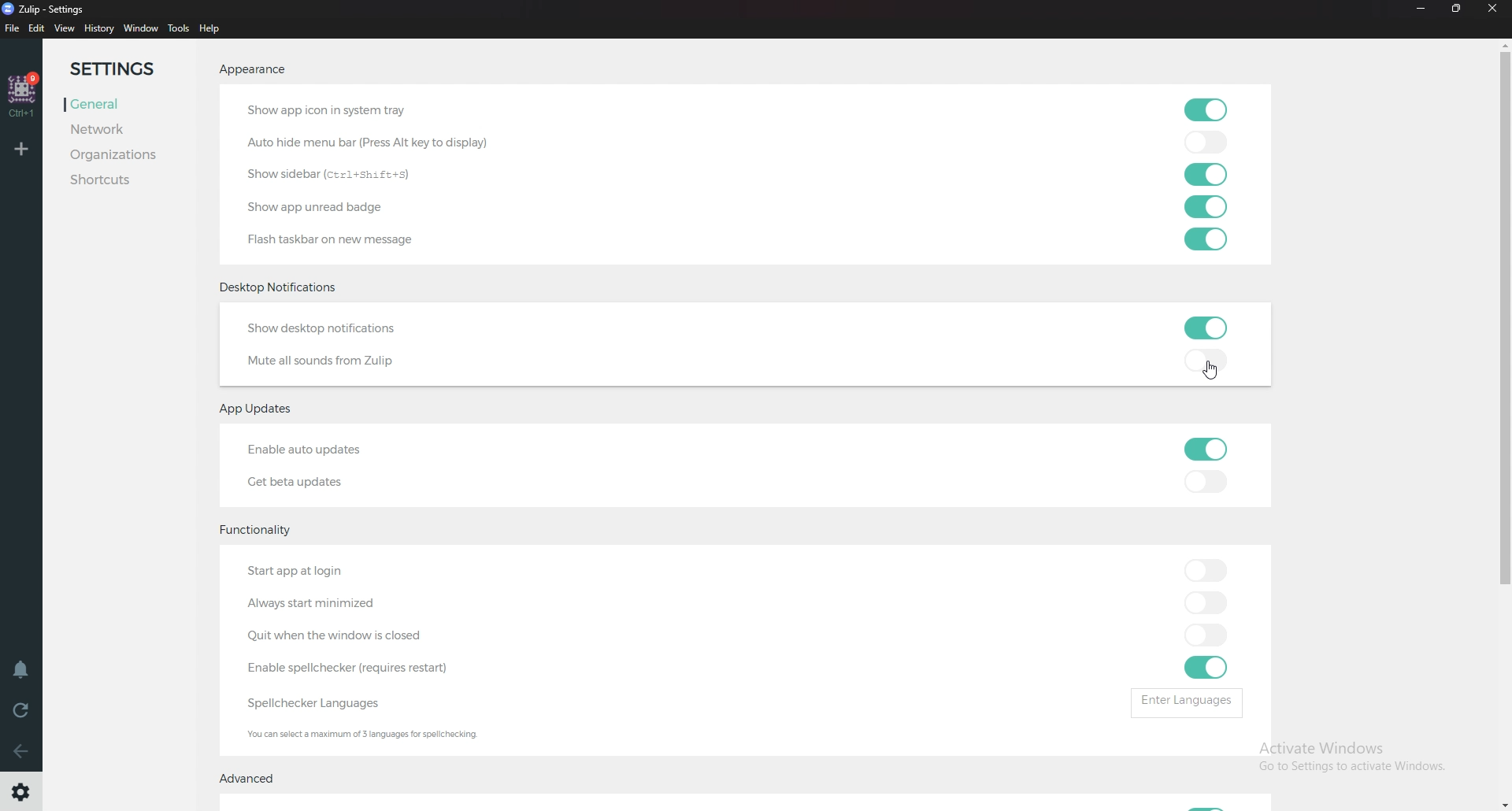  Describe the element at coordinates (329, 176) in the screenshot. I see `Show sidebar` at that location.